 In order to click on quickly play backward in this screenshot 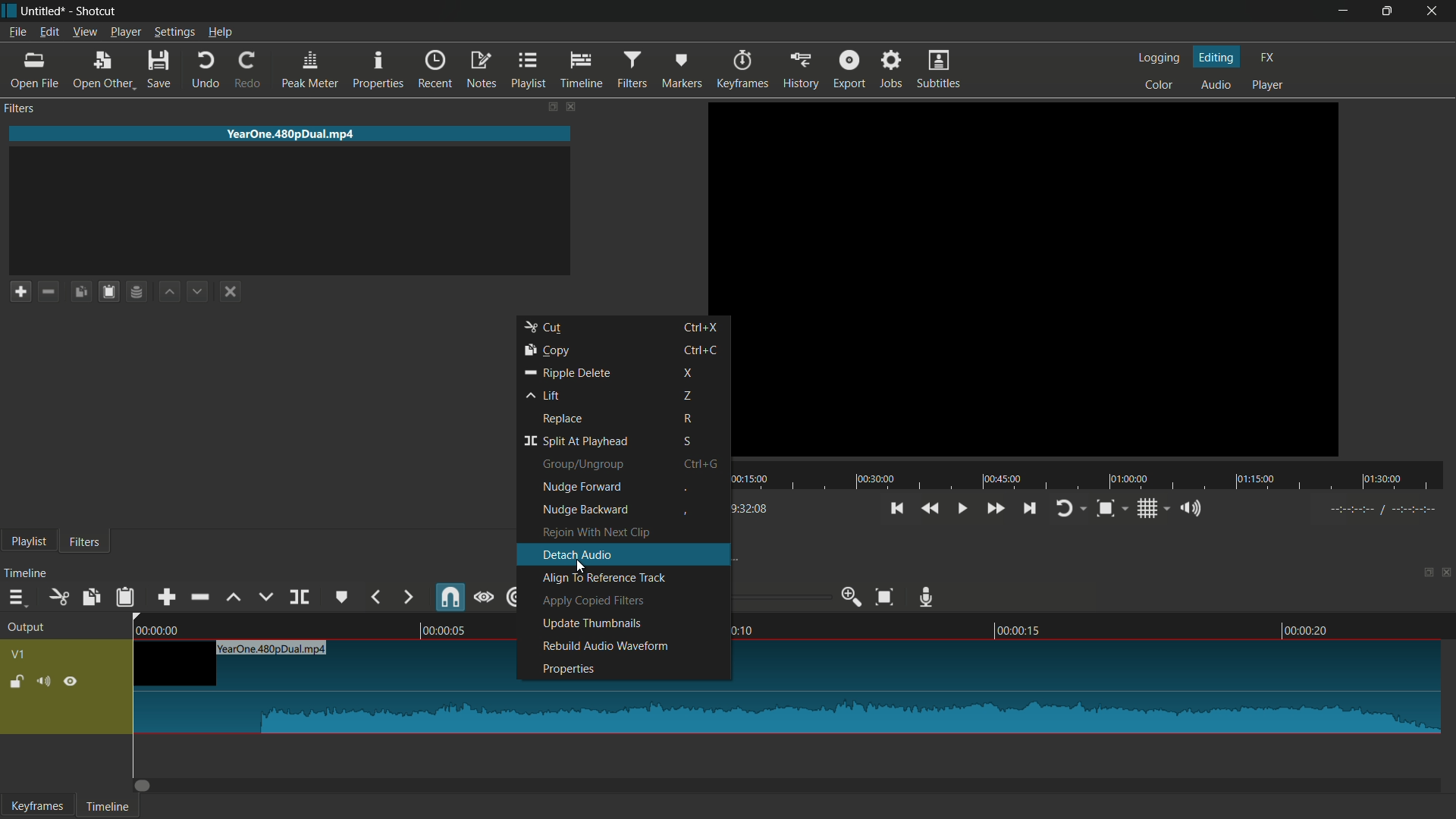, I will do `click(931, 508)`.